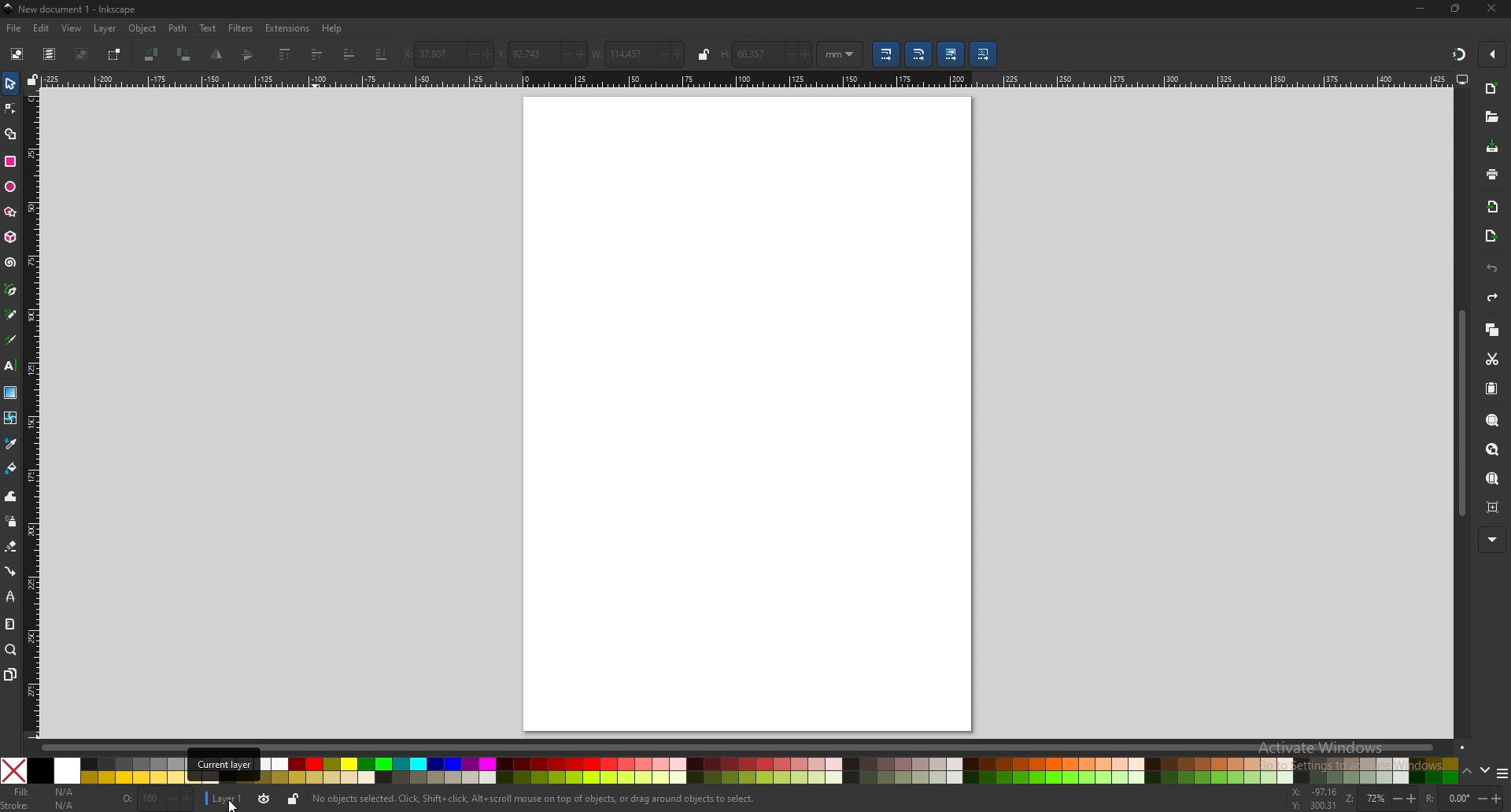  I want to click on raise one step, so click(317, 54).